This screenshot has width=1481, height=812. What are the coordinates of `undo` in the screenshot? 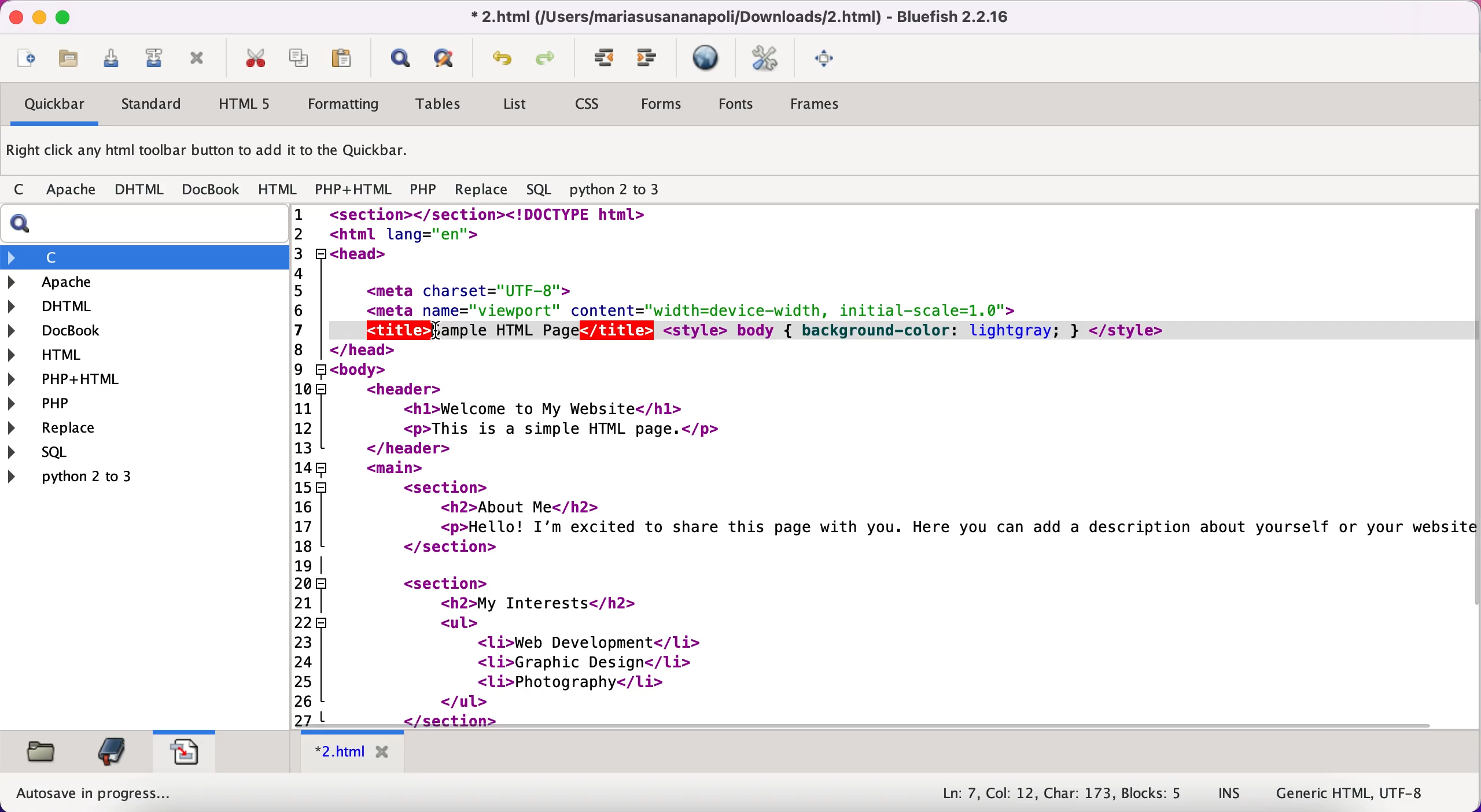 It's located at (503, 61).